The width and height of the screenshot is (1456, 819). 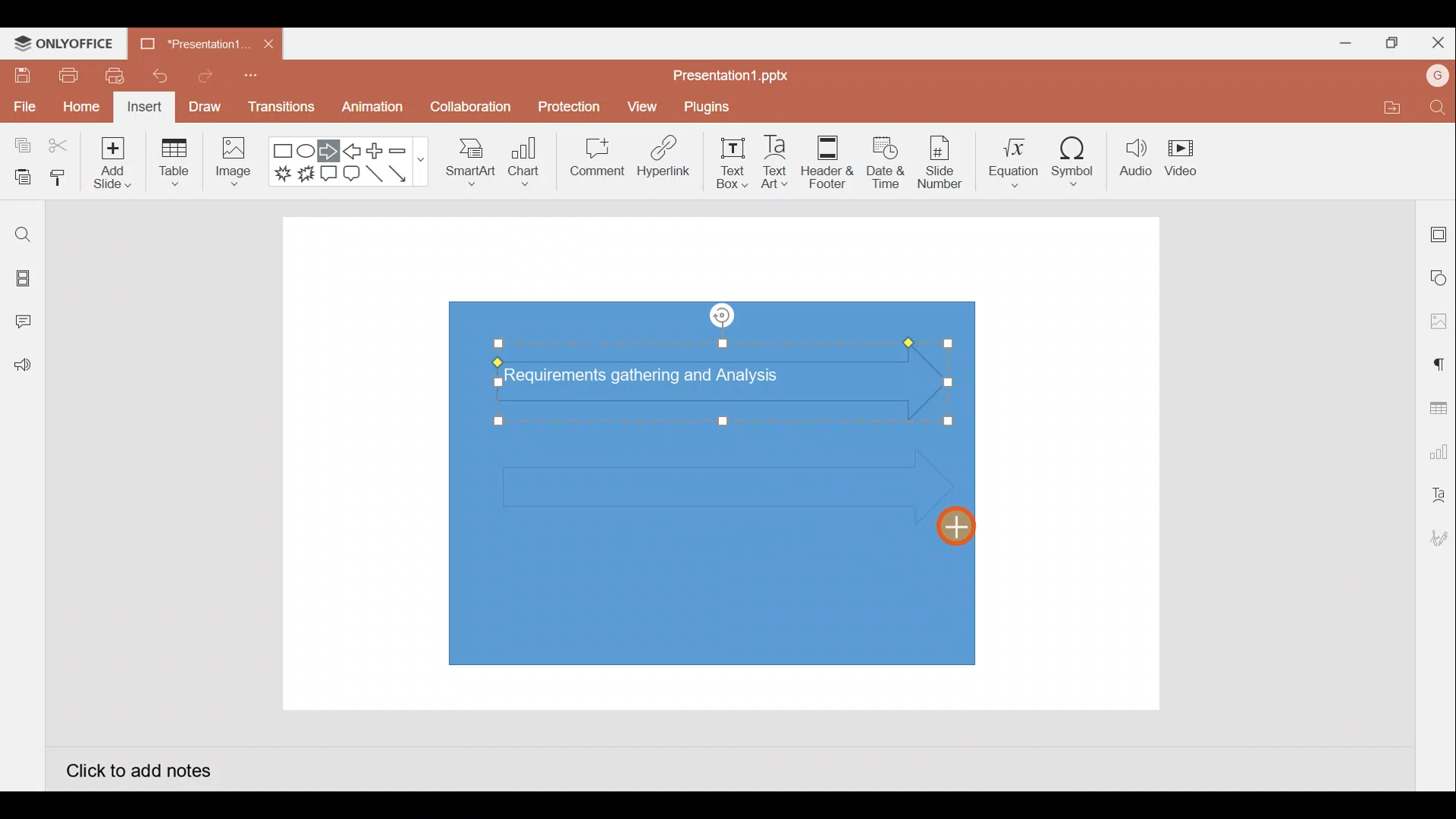 I want to click on Slide number, so click(x=939, y=162).